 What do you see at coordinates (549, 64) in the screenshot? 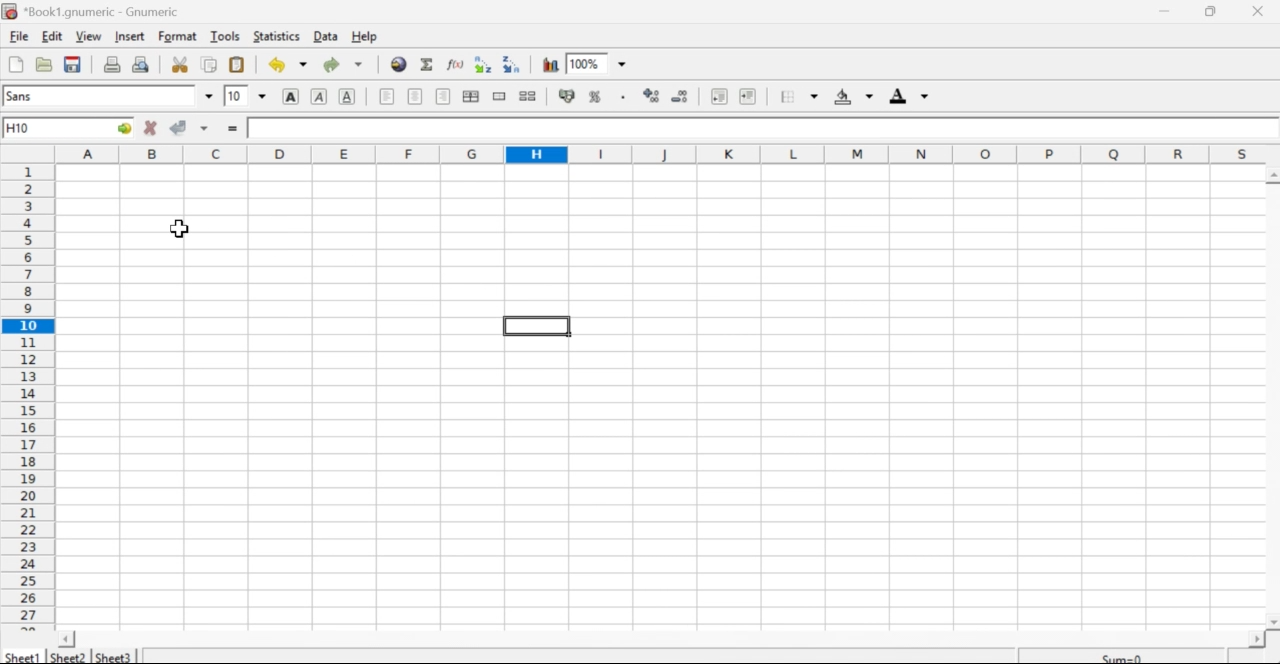
I see `Graphs` at bounding box center [549, 64].